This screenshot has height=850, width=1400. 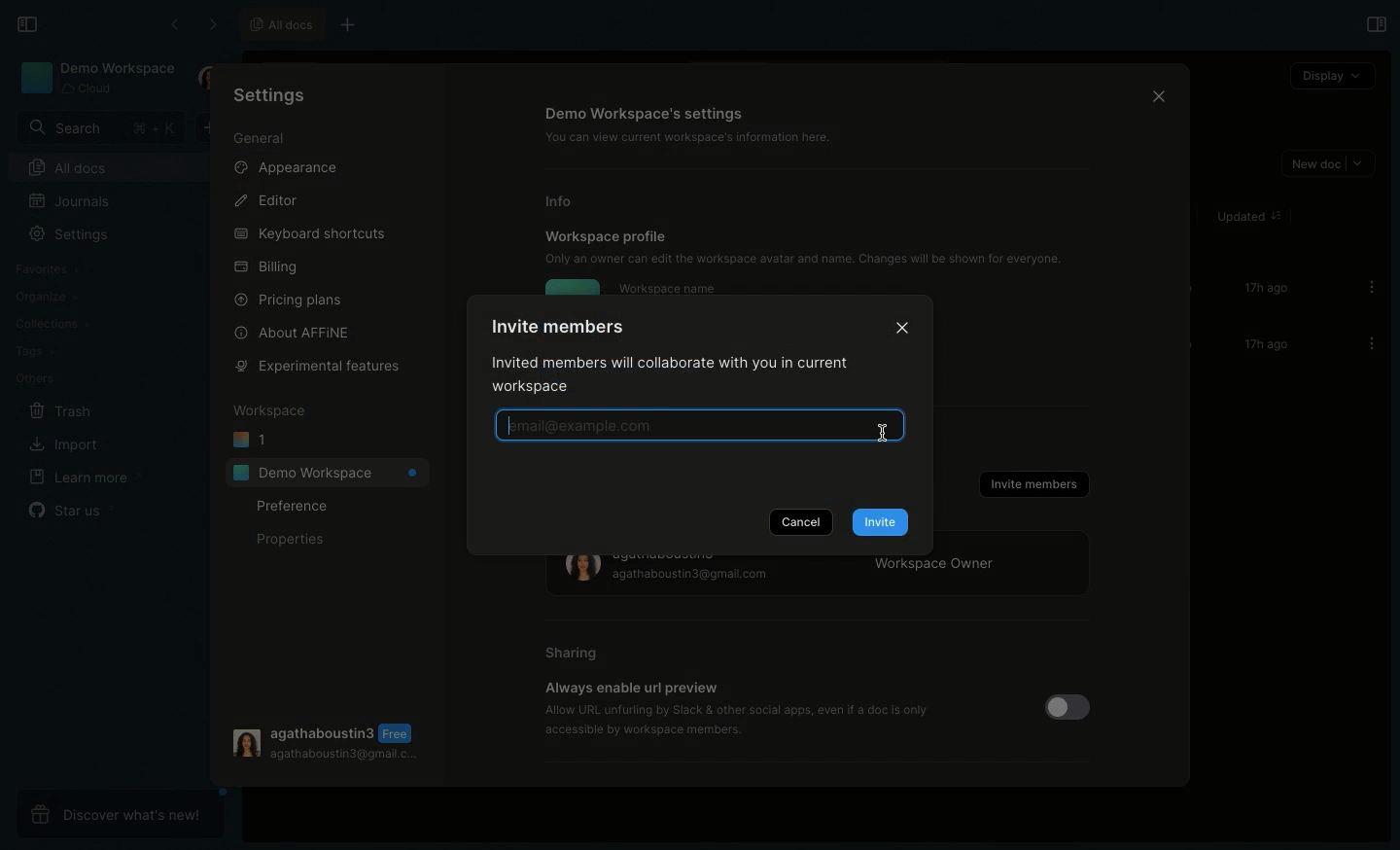 What do you see at coordinates (357, 23) in the screenshot?
I see `New tab` at bounding box center [357, 23].